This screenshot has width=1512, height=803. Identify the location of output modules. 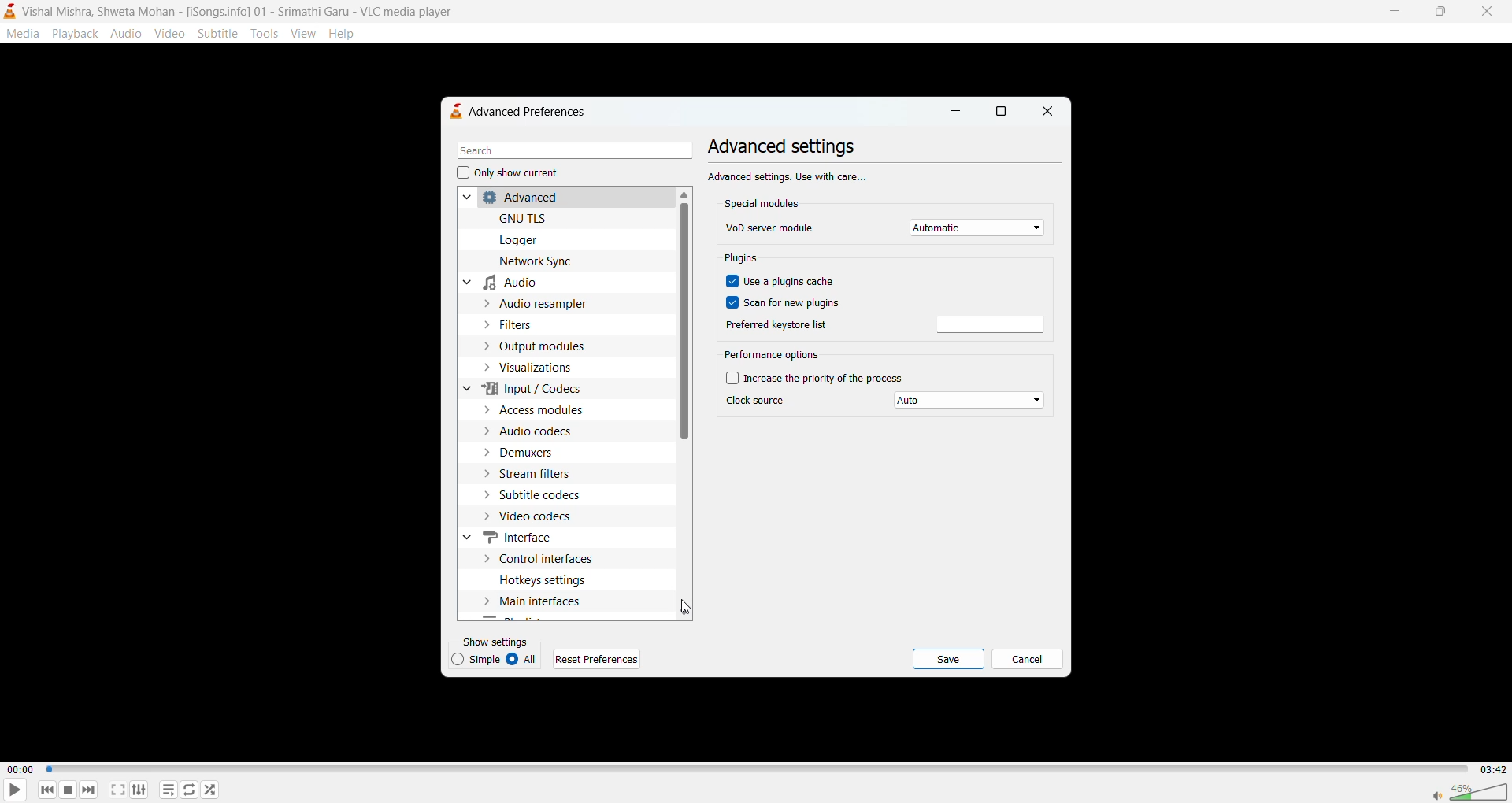
(552, 348).